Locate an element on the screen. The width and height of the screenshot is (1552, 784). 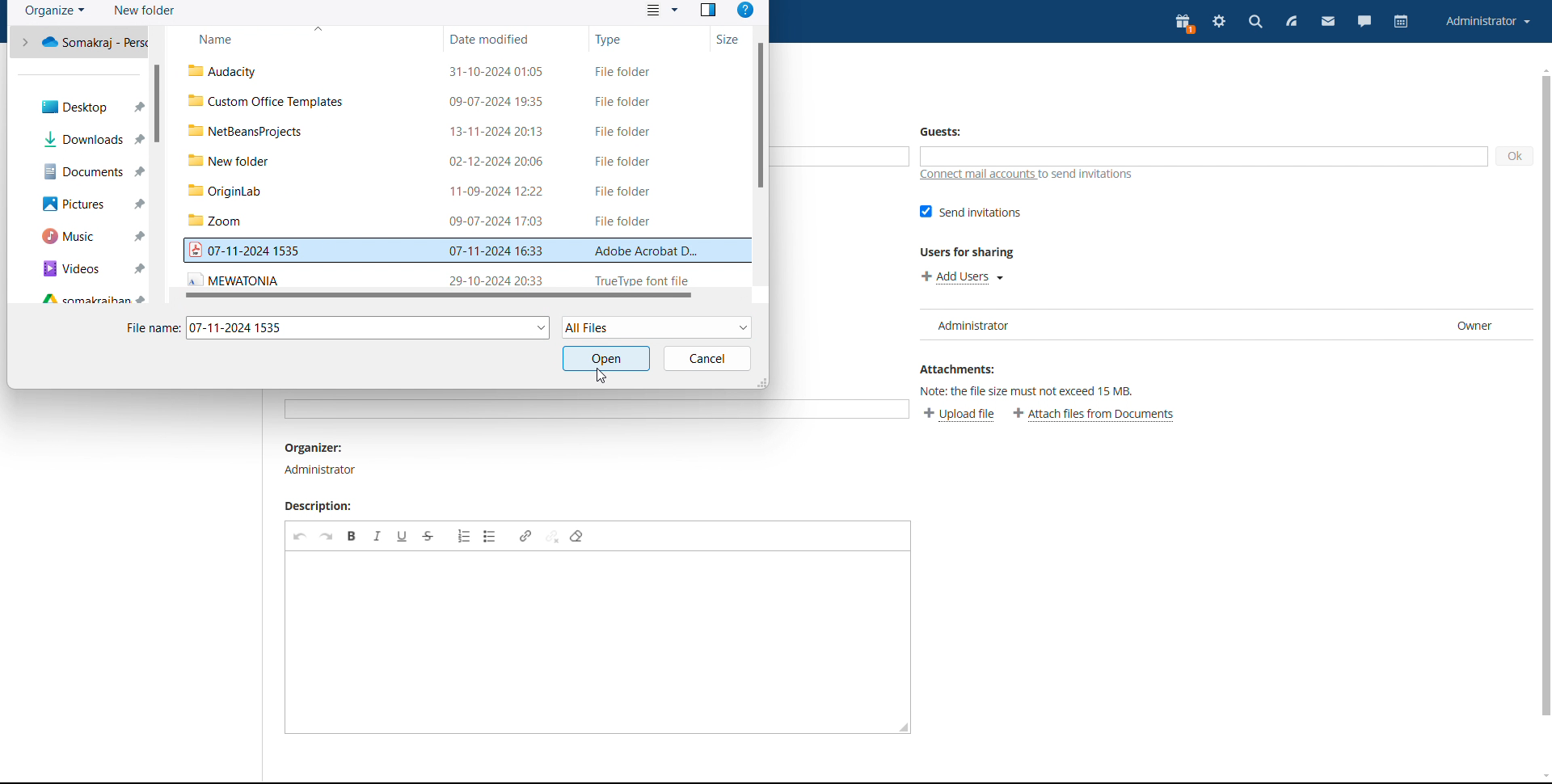
quick access folders is located at coordinates (79, 298).